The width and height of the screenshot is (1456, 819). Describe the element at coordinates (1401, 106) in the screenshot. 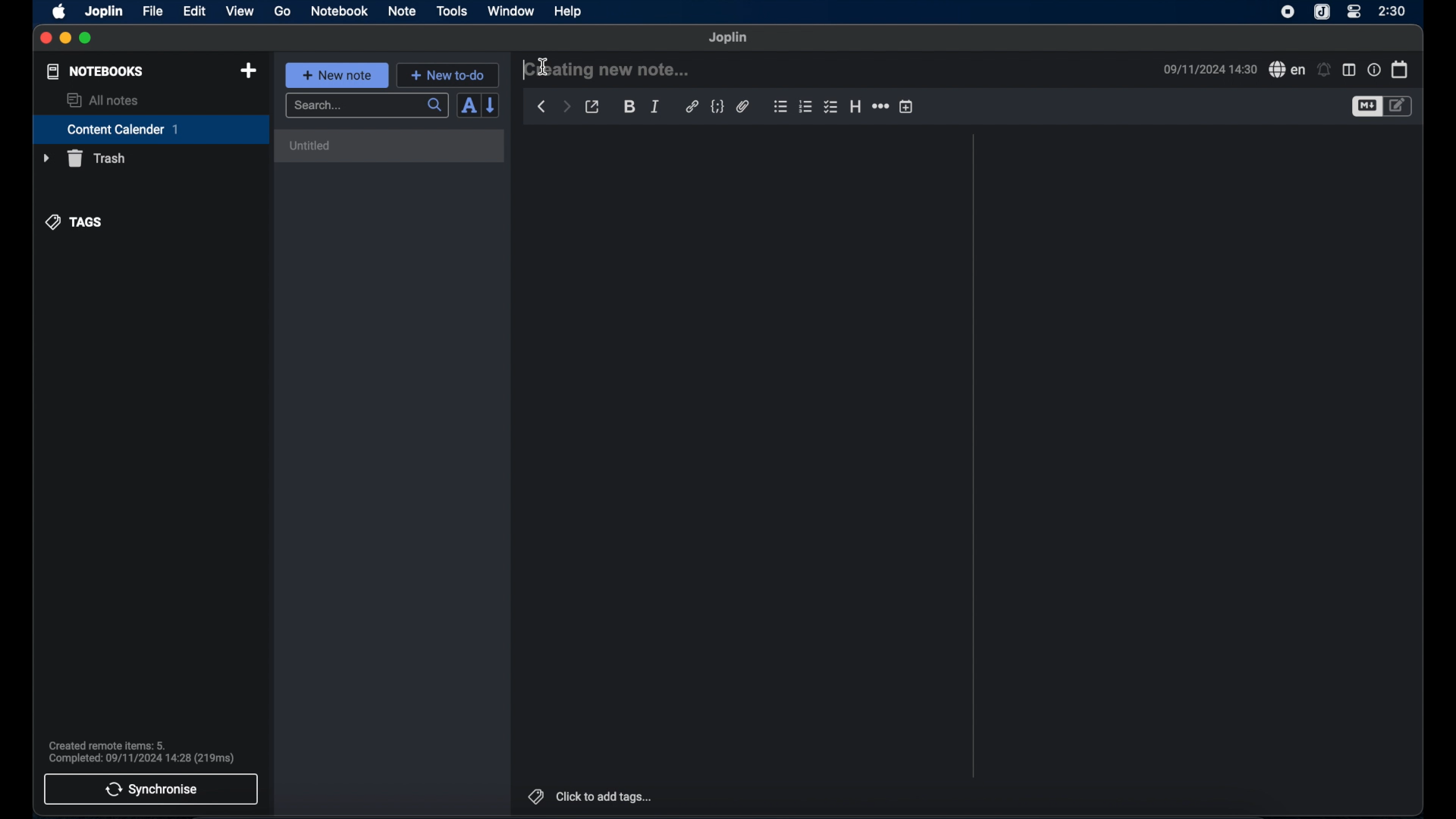

I see `toggle editor` at that location.